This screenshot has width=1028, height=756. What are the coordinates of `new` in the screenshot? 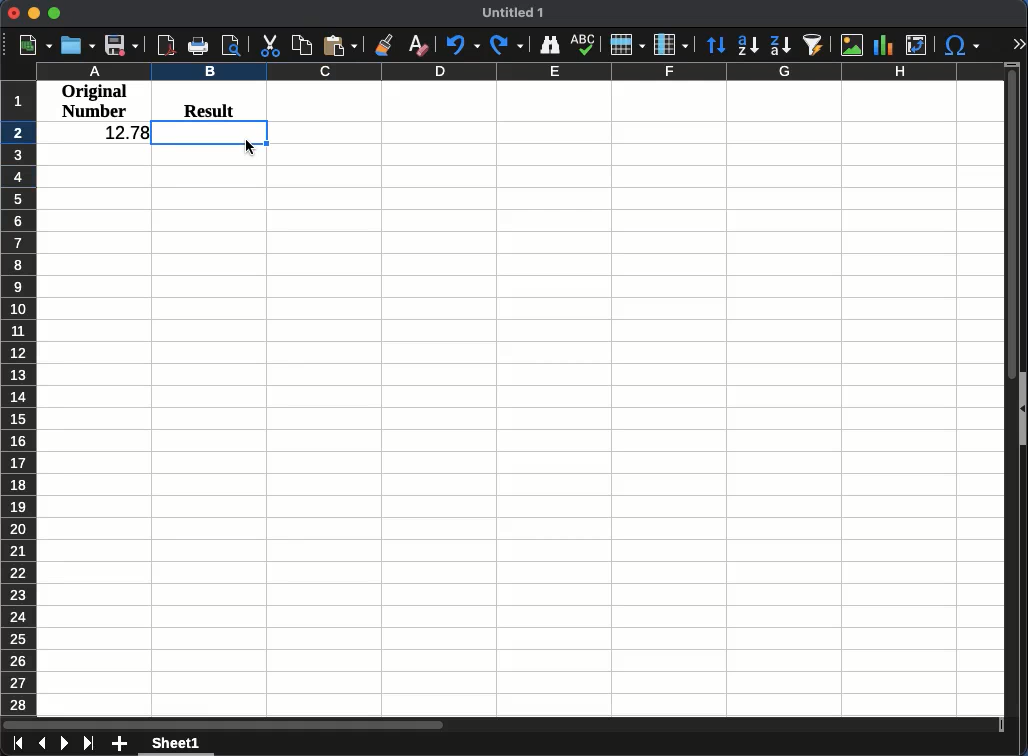 It's located at (36, 44).